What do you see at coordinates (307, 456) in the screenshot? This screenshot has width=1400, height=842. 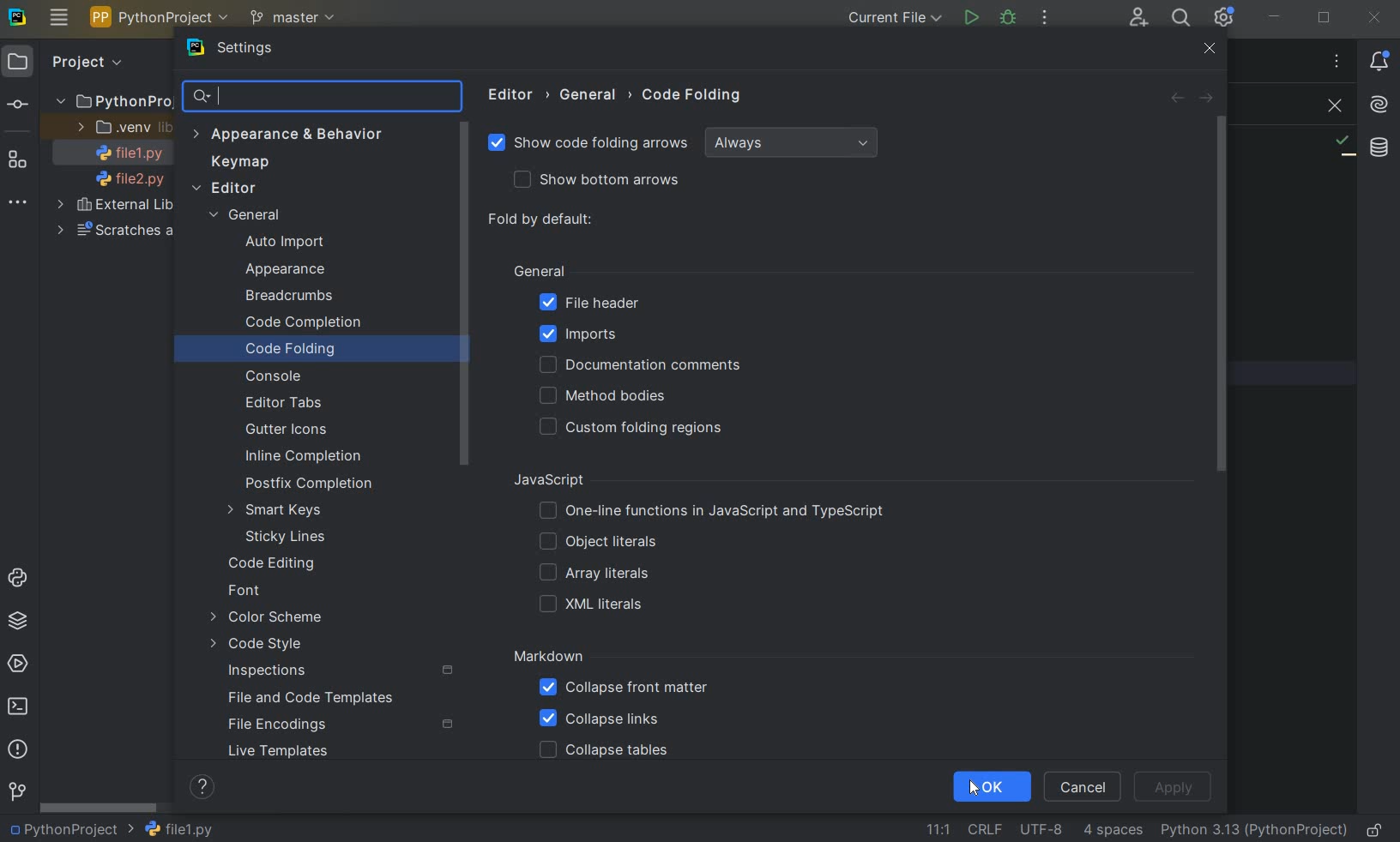 I see `INLINE COMPLETION` at bounding box center [307, 456].